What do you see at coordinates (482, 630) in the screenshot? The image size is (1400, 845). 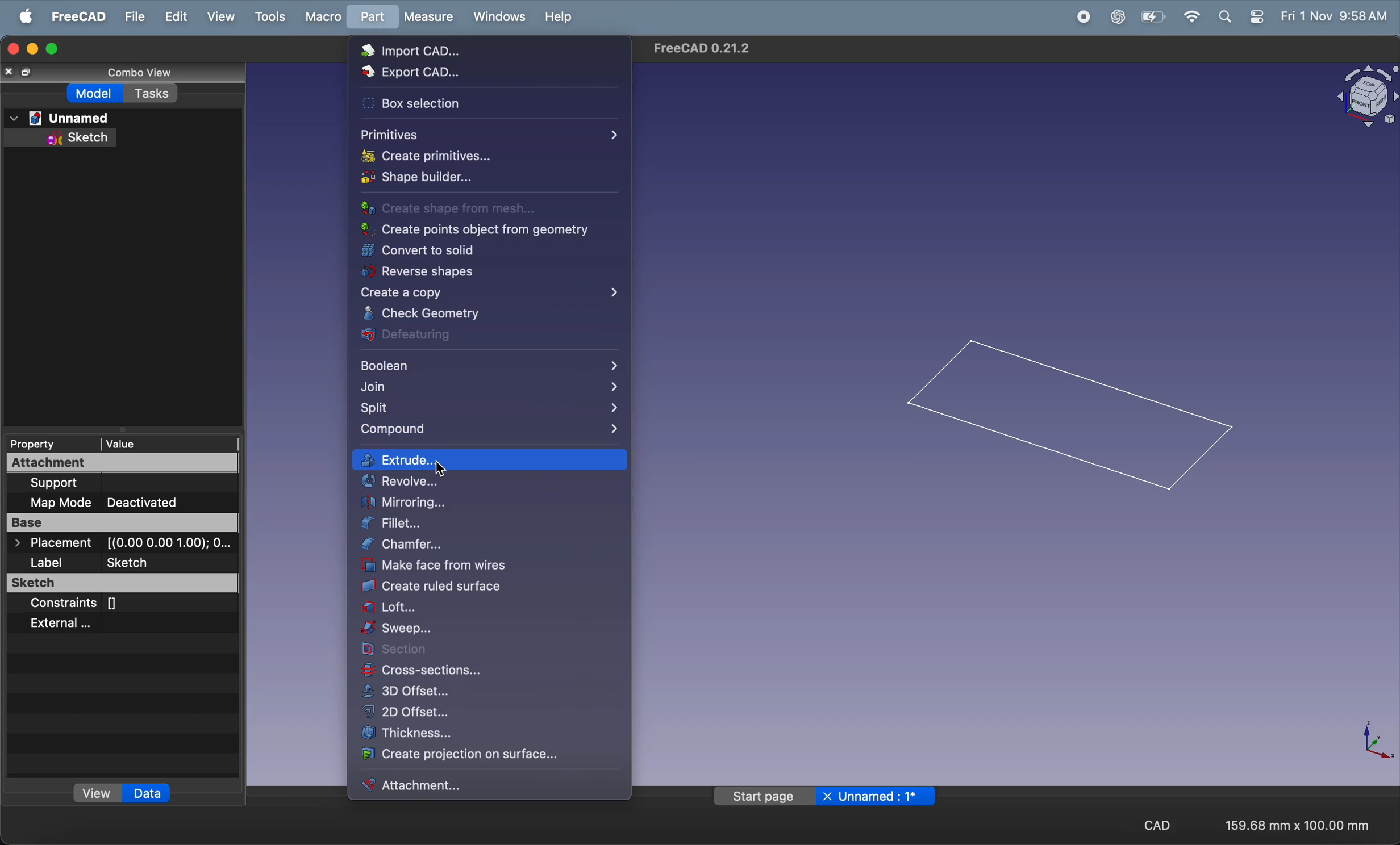 I see `sweep` at bounding box center [482, 630].